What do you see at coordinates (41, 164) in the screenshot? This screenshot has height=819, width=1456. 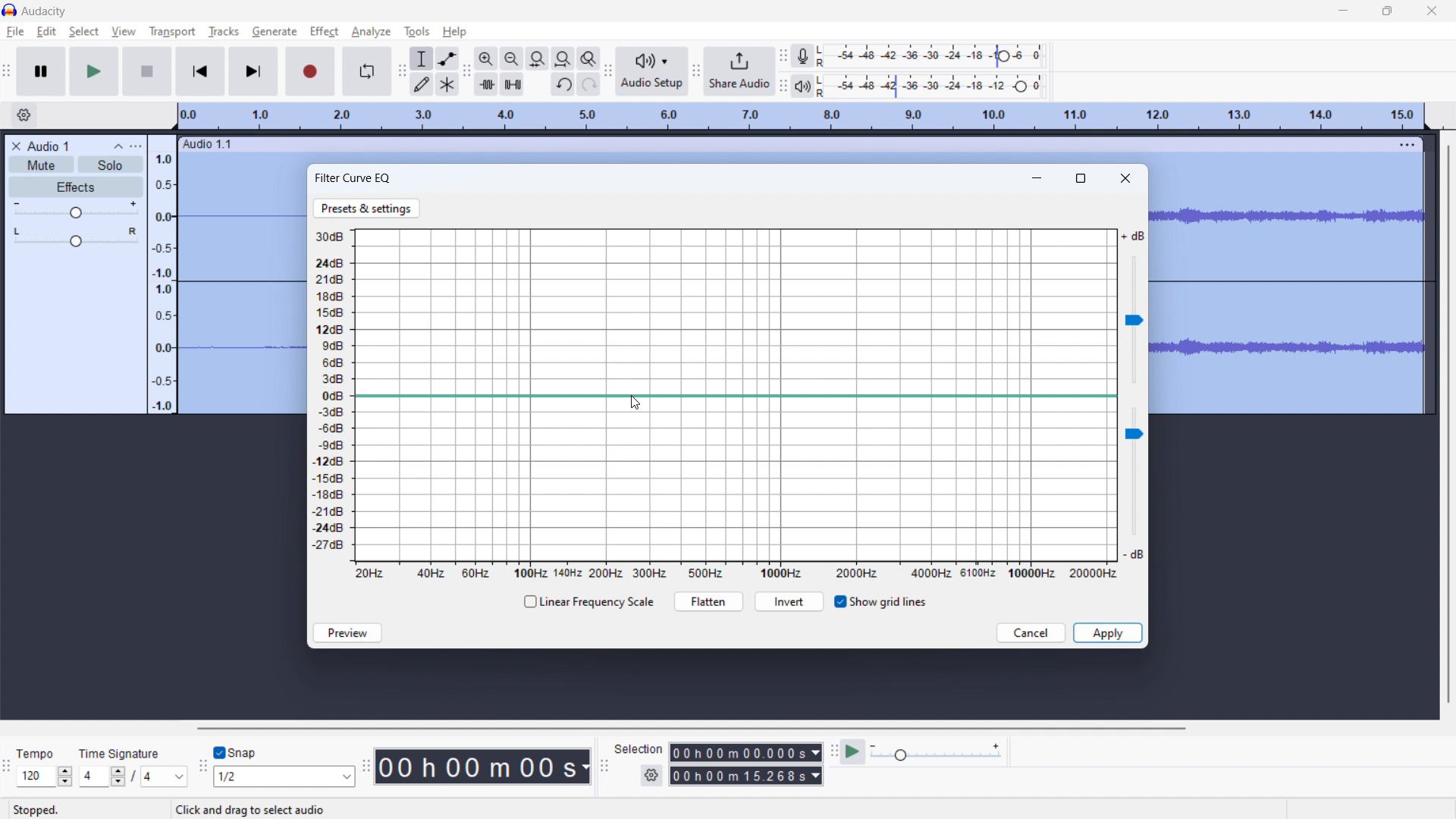 I see `mute` at bounding box center [41, 164].